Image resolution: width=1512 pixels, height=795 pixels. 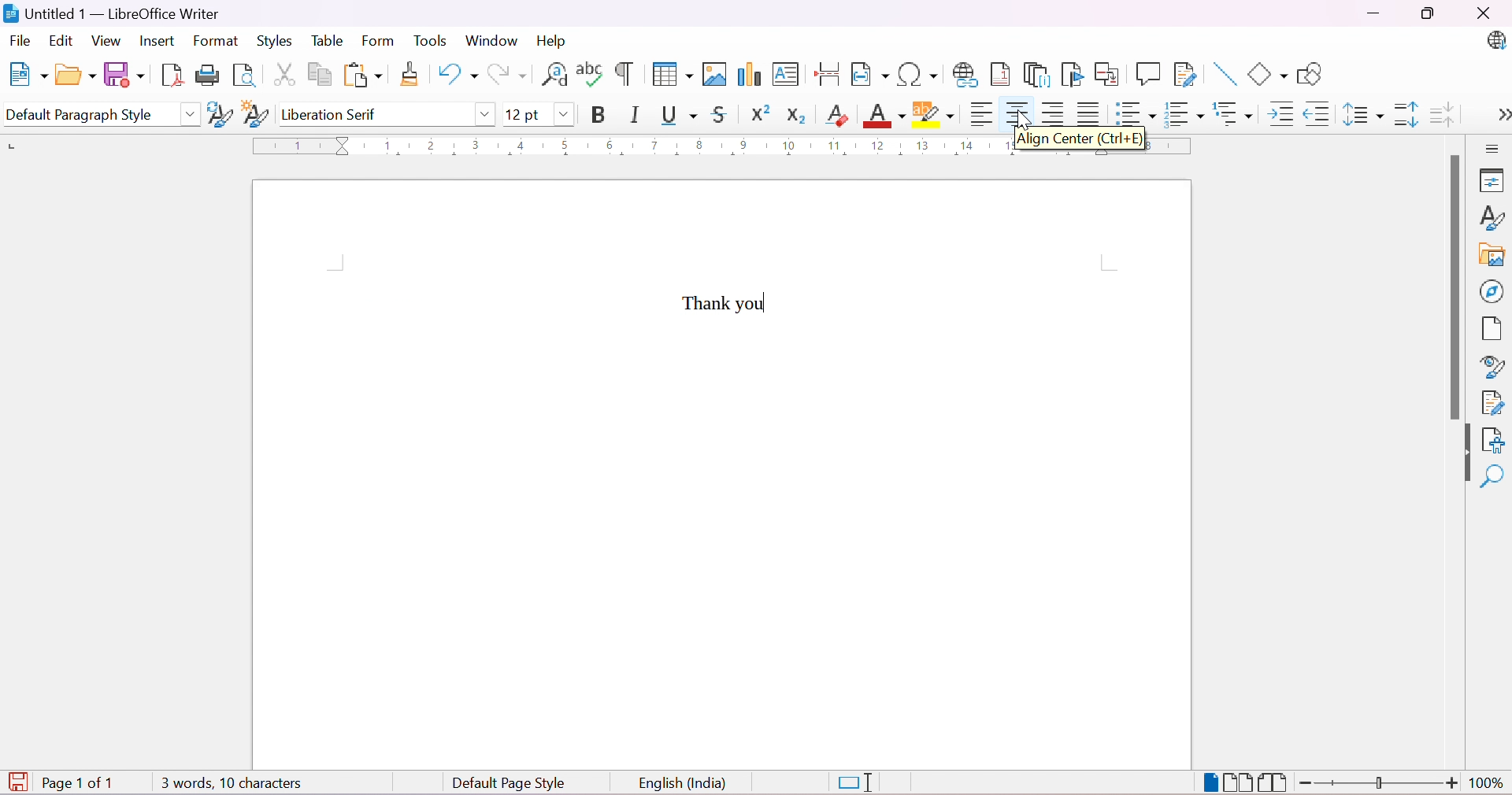 What do you see at coordinates (1240, 782) in the screenshot?
I see `Multiple-page View` at bounding box center [1240, 782].